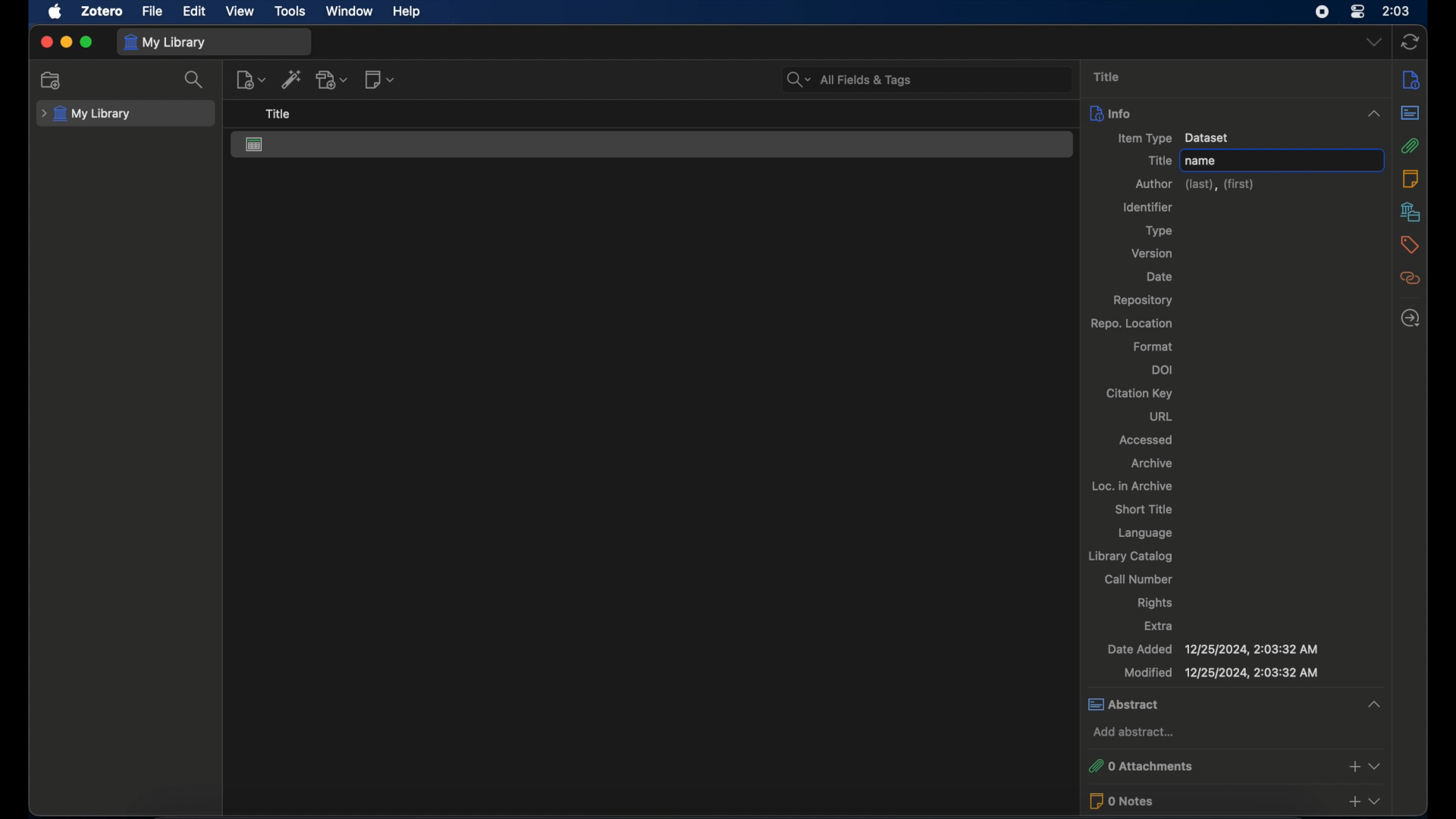 The image size is (1456, 819). Describe the element at coordinates (242, 11) in the screenshot. I see `view` at that location.